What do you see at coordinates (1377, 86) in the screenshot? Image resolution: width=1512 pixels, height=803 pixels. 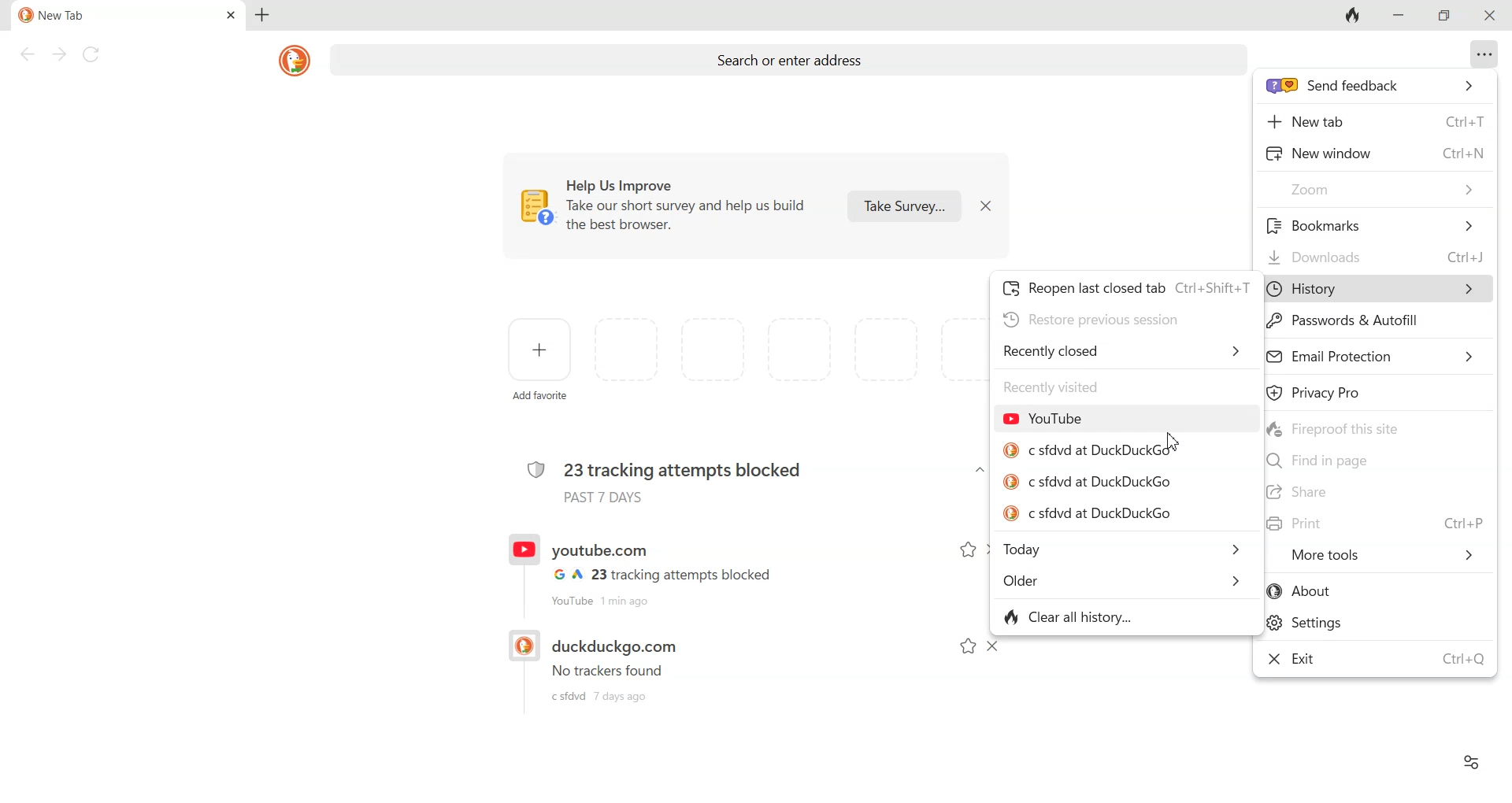 I see `send feedback` at bounding box center [1377, 86].